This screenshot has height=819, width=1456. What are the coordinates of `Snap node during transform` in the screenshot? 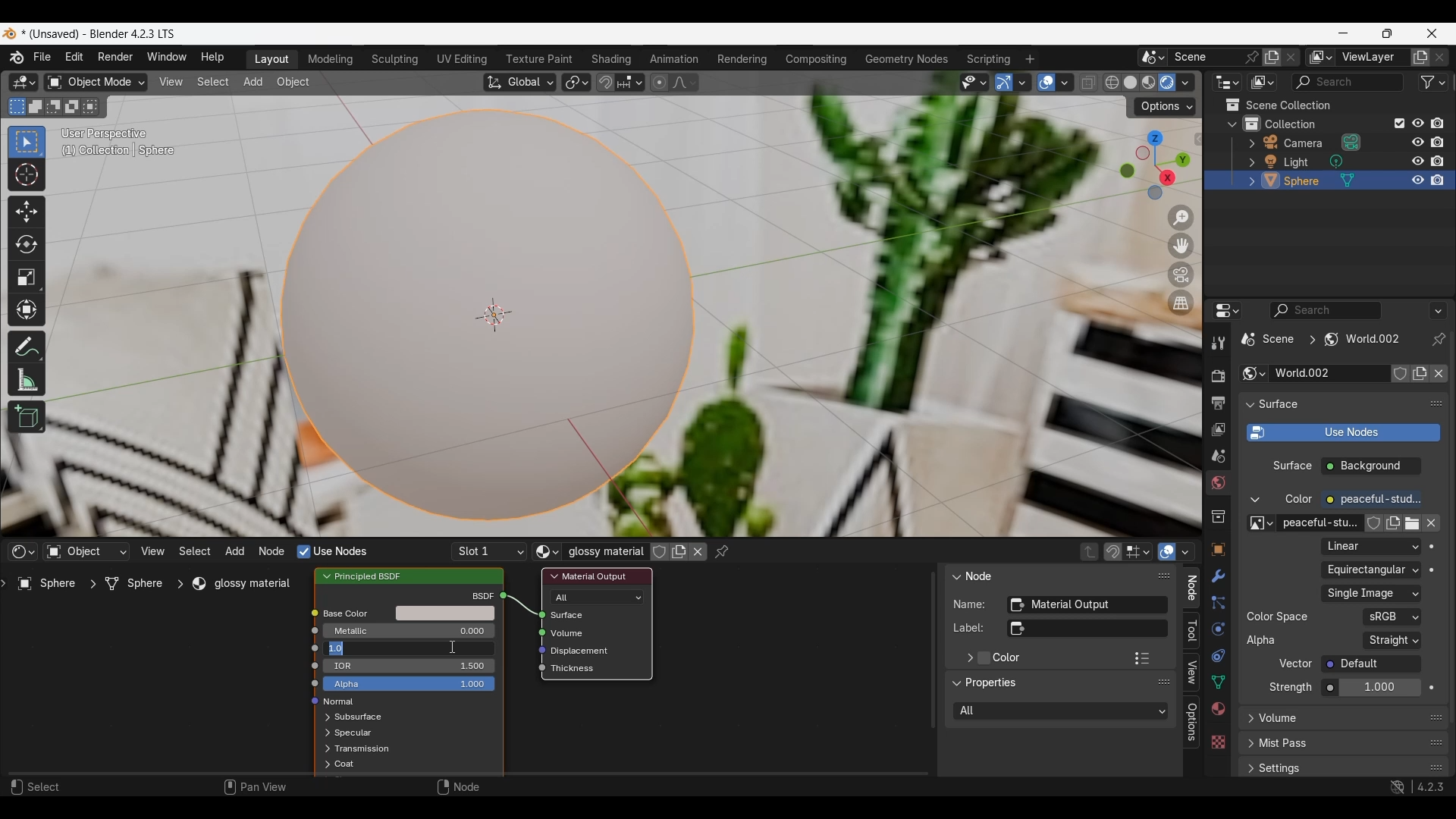 It's located at (1113, 552).